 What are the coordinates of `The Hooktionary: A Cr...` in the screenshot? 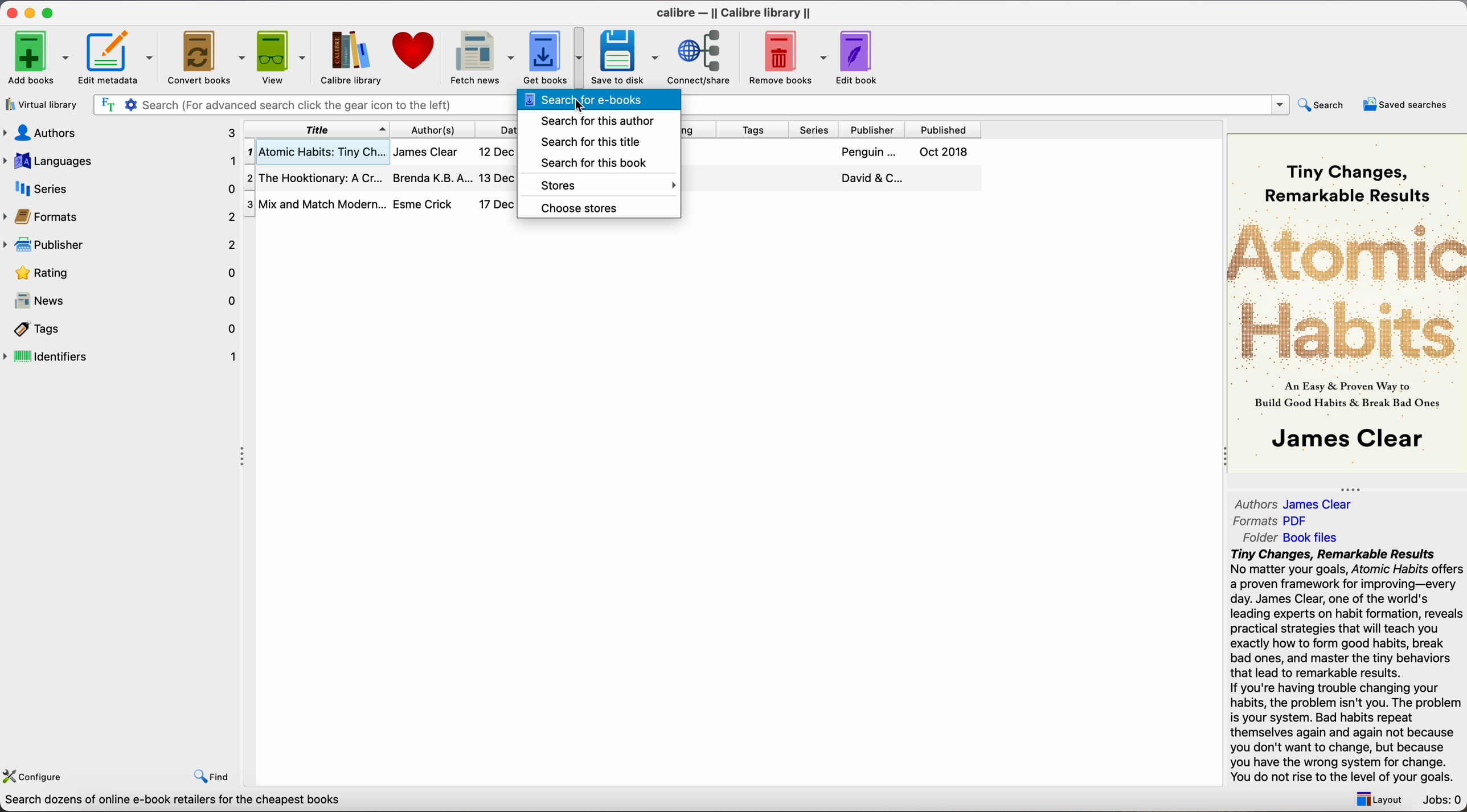 It's located at (315, 180).